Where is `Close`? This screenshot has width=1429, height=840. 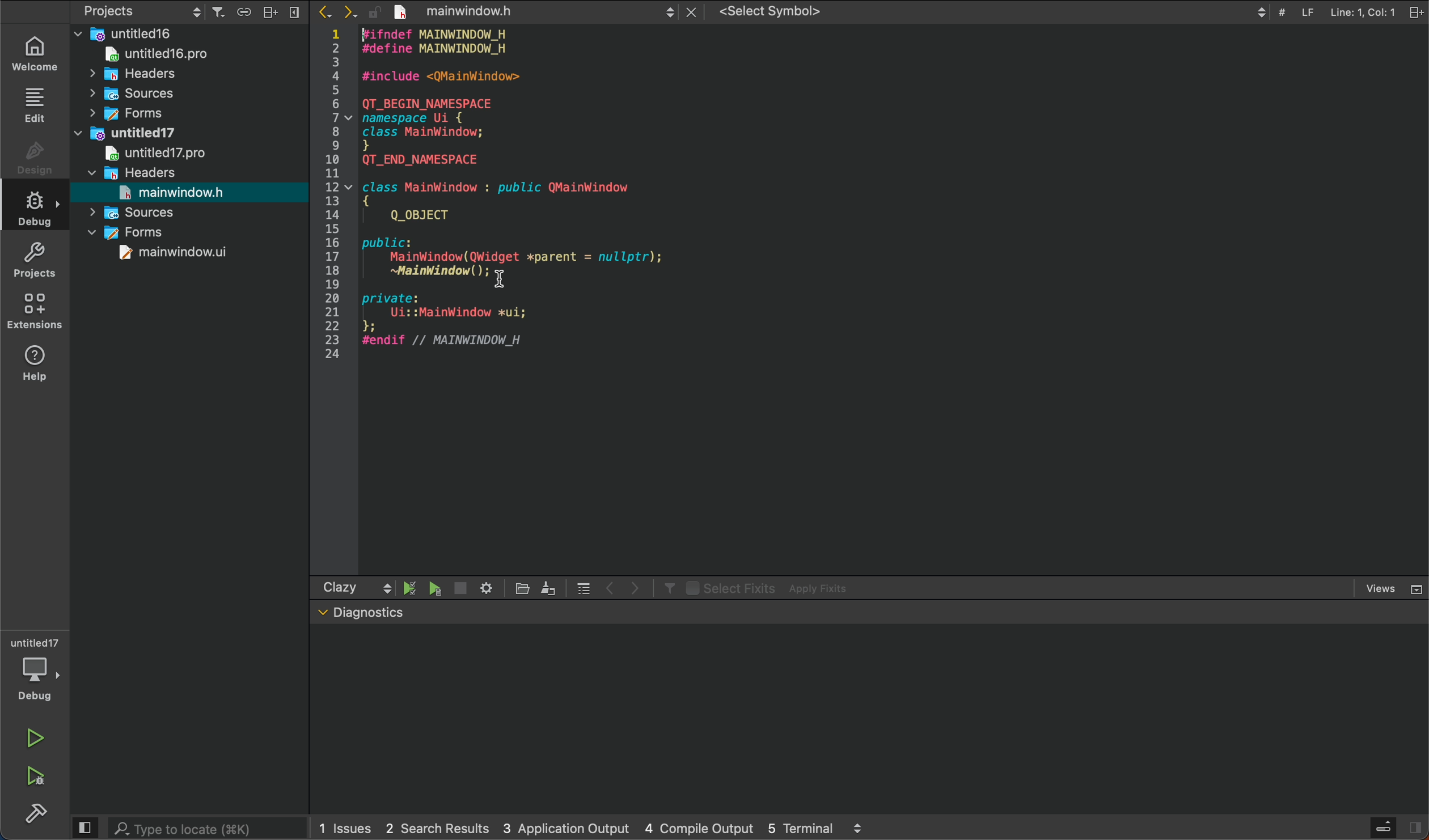
Close is located at coordinates (694, 12).